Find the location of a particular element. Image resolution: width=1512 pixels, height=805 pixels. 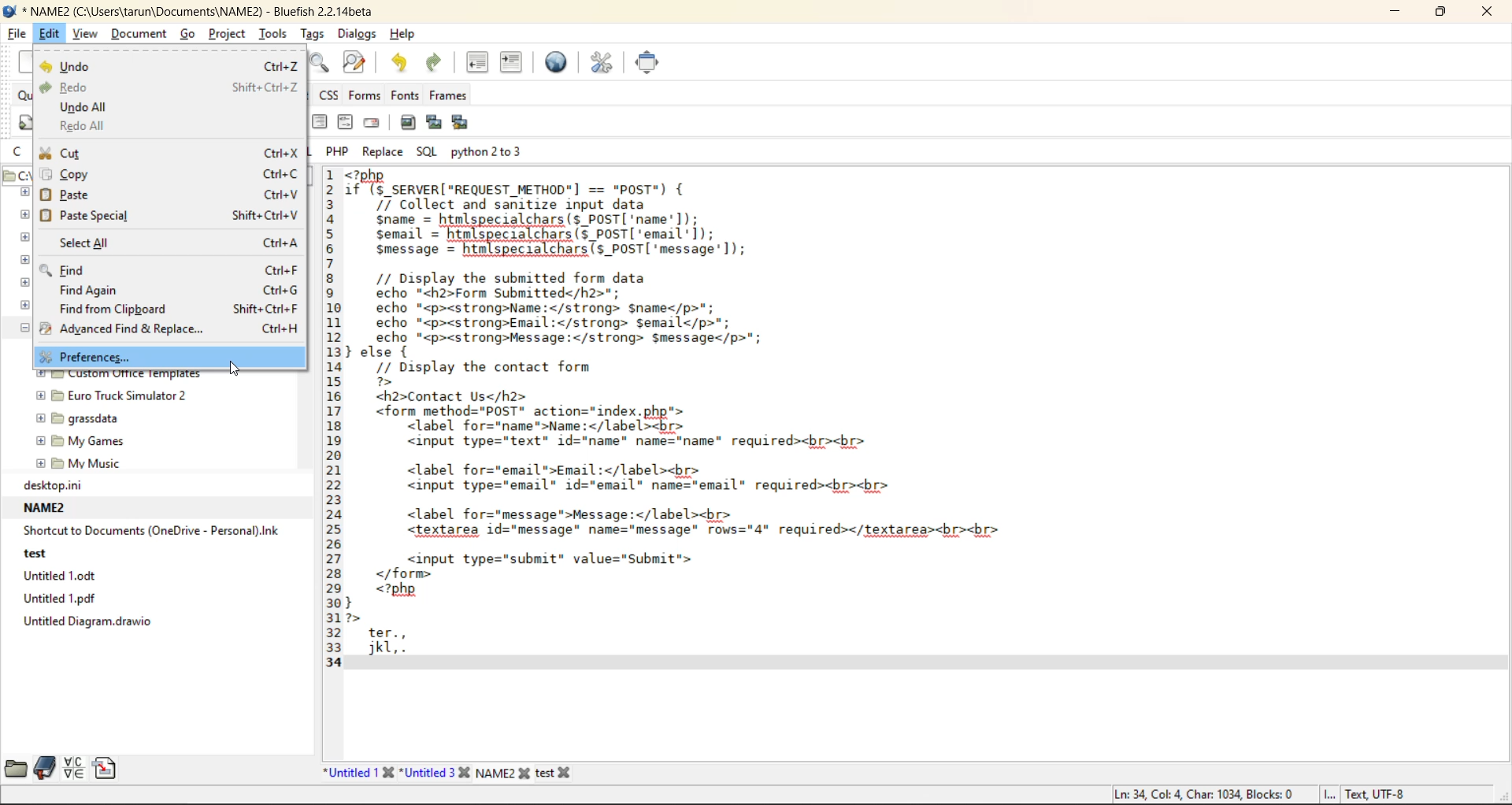

paste special is located at coordinates (170, 220).